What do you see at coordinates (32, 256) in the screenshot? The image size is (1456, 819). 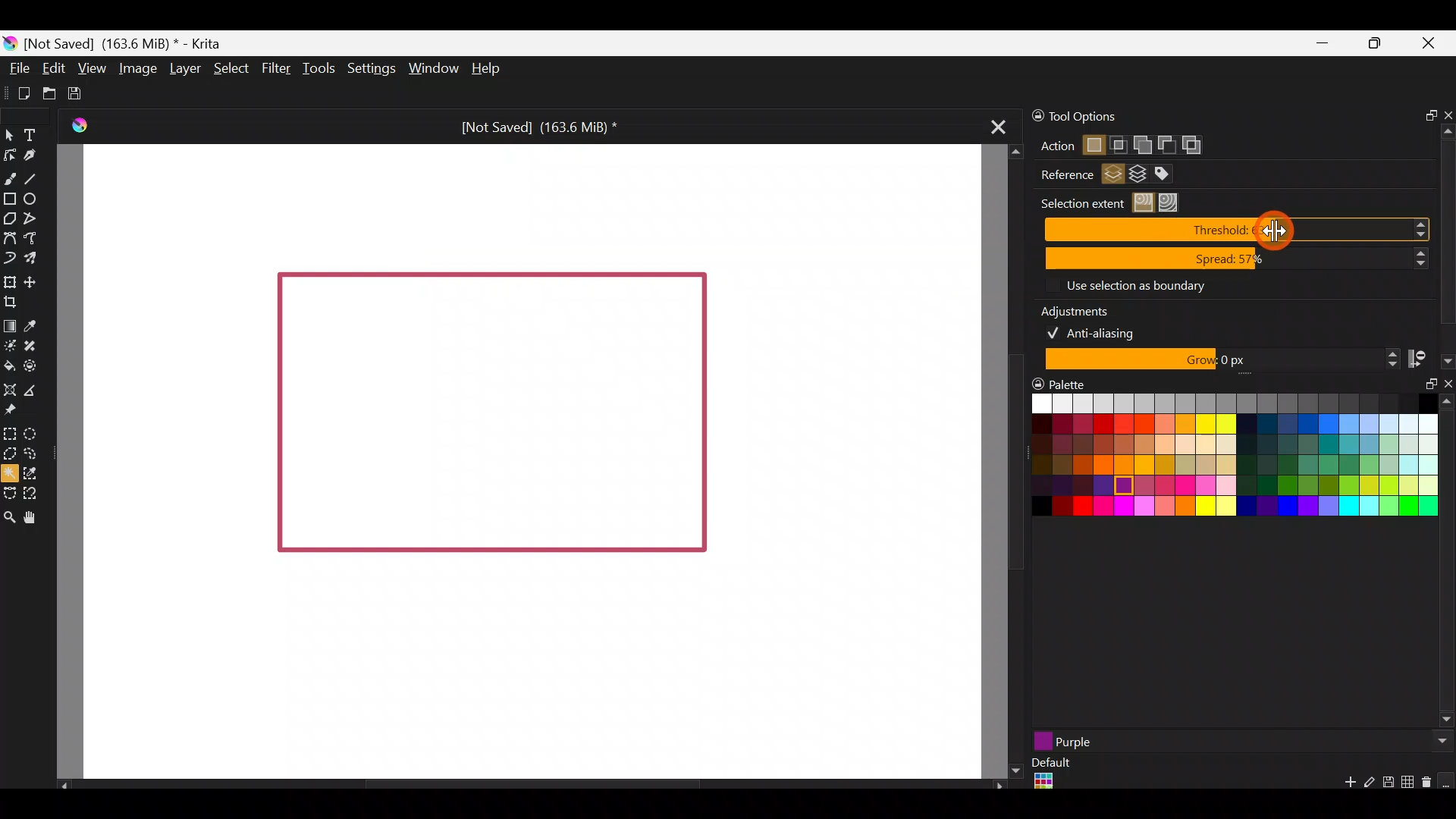 I see `Multibrush tool` at bounding box center [32, 256].